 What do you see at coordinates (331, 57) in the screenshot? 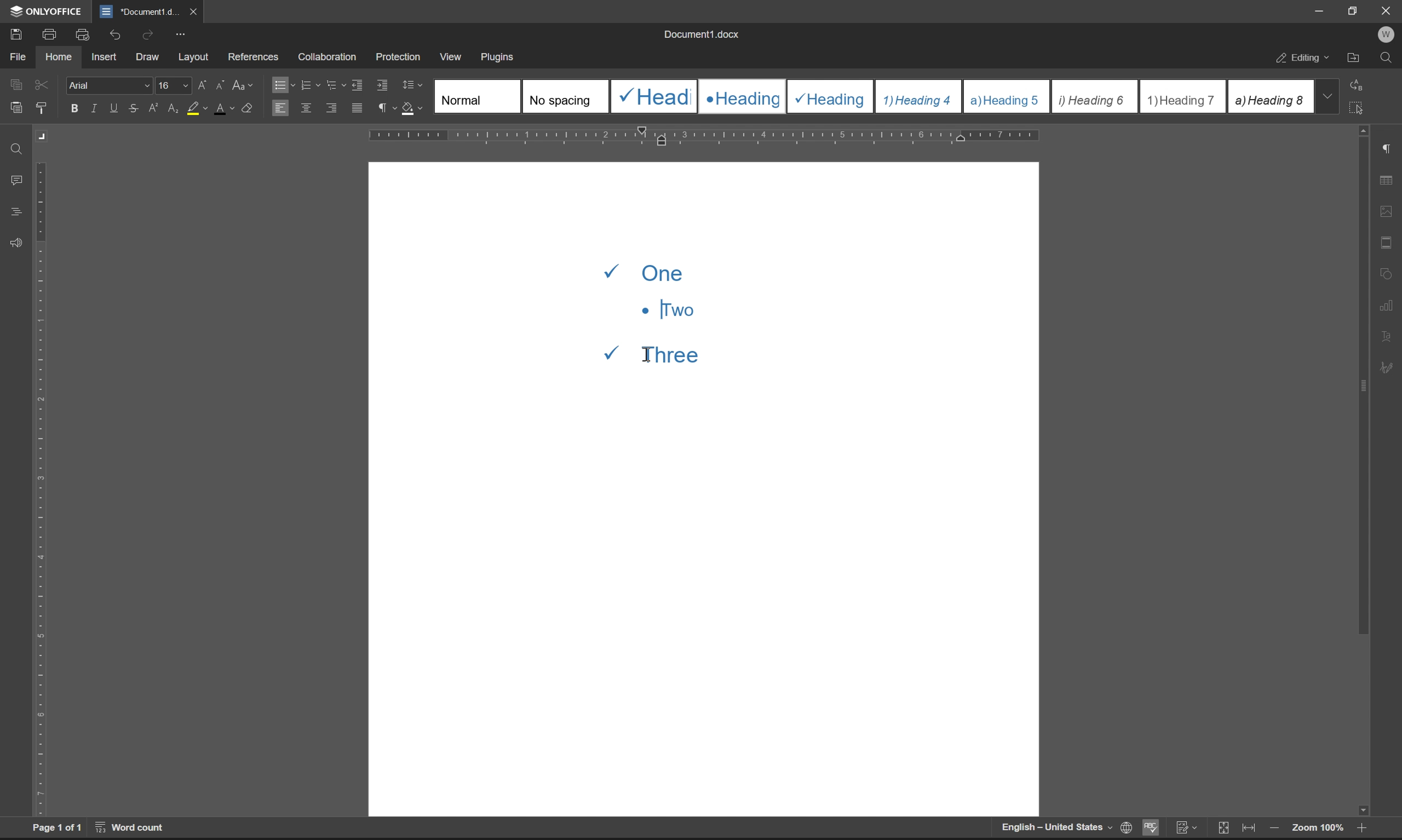
I see `collaboration` at bounding box center [331, 57].